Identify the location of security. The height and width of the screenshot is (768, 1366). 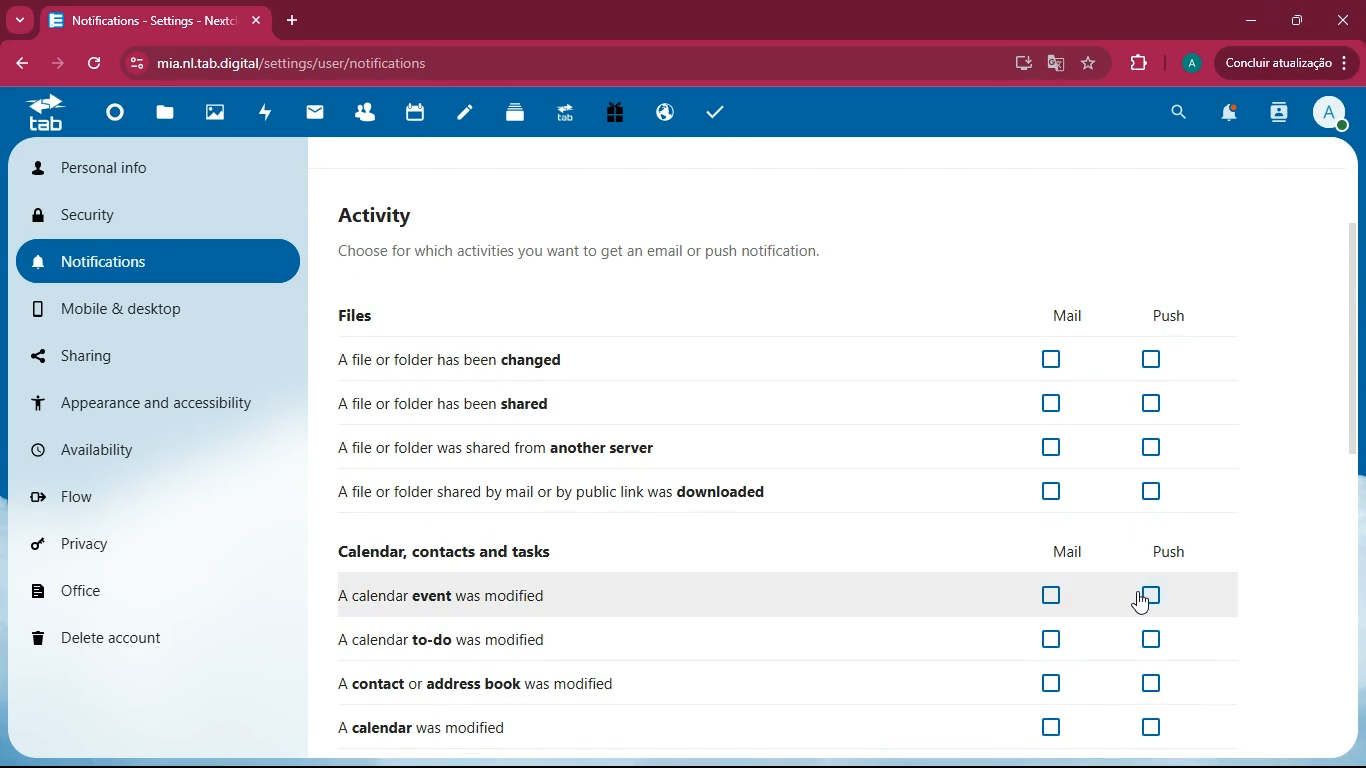
(160, 217).